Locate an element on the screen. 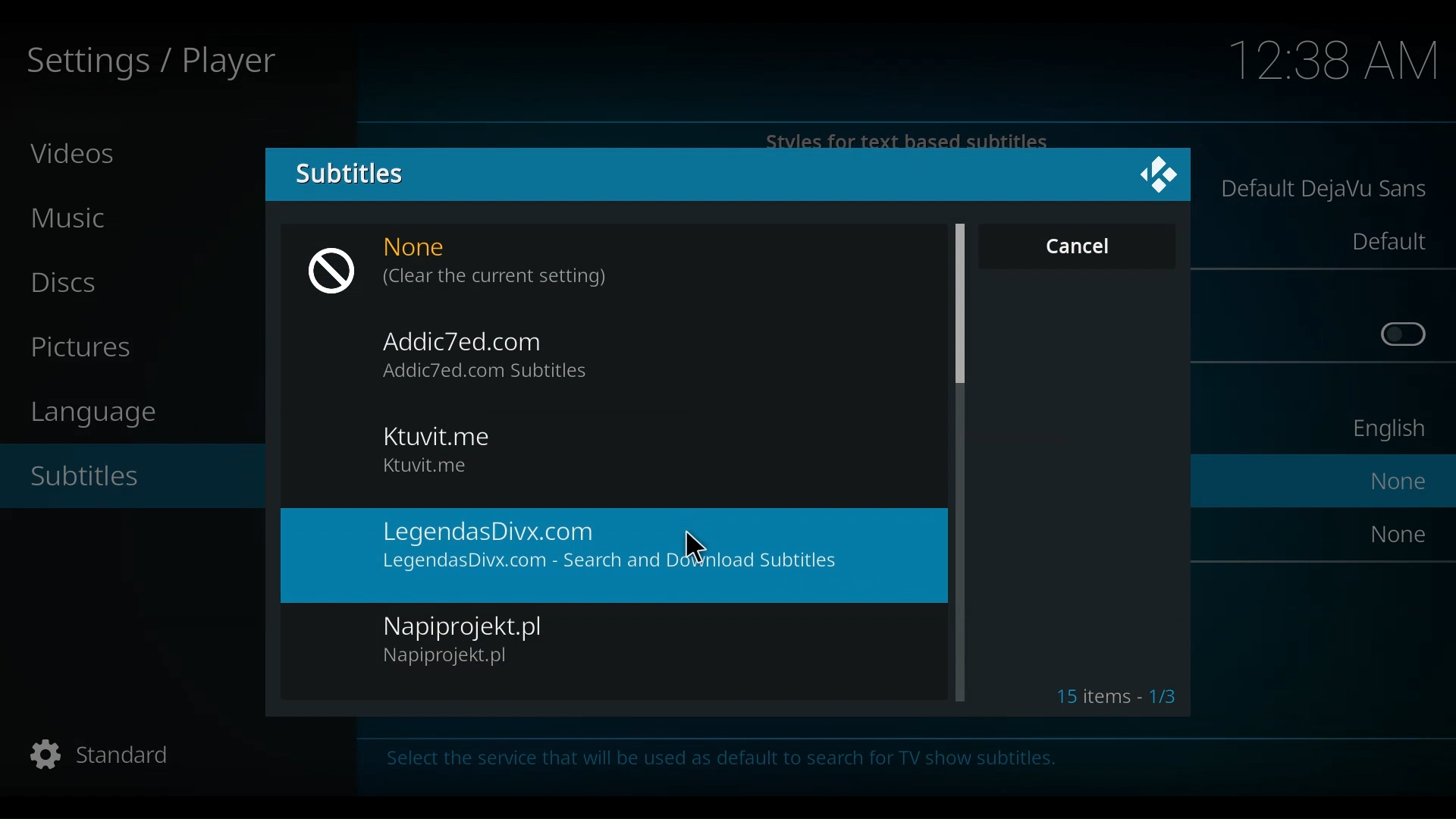 Image resolution: width=1456 pixels, height=819 pixels. items is located at coordinates (1116, 694).